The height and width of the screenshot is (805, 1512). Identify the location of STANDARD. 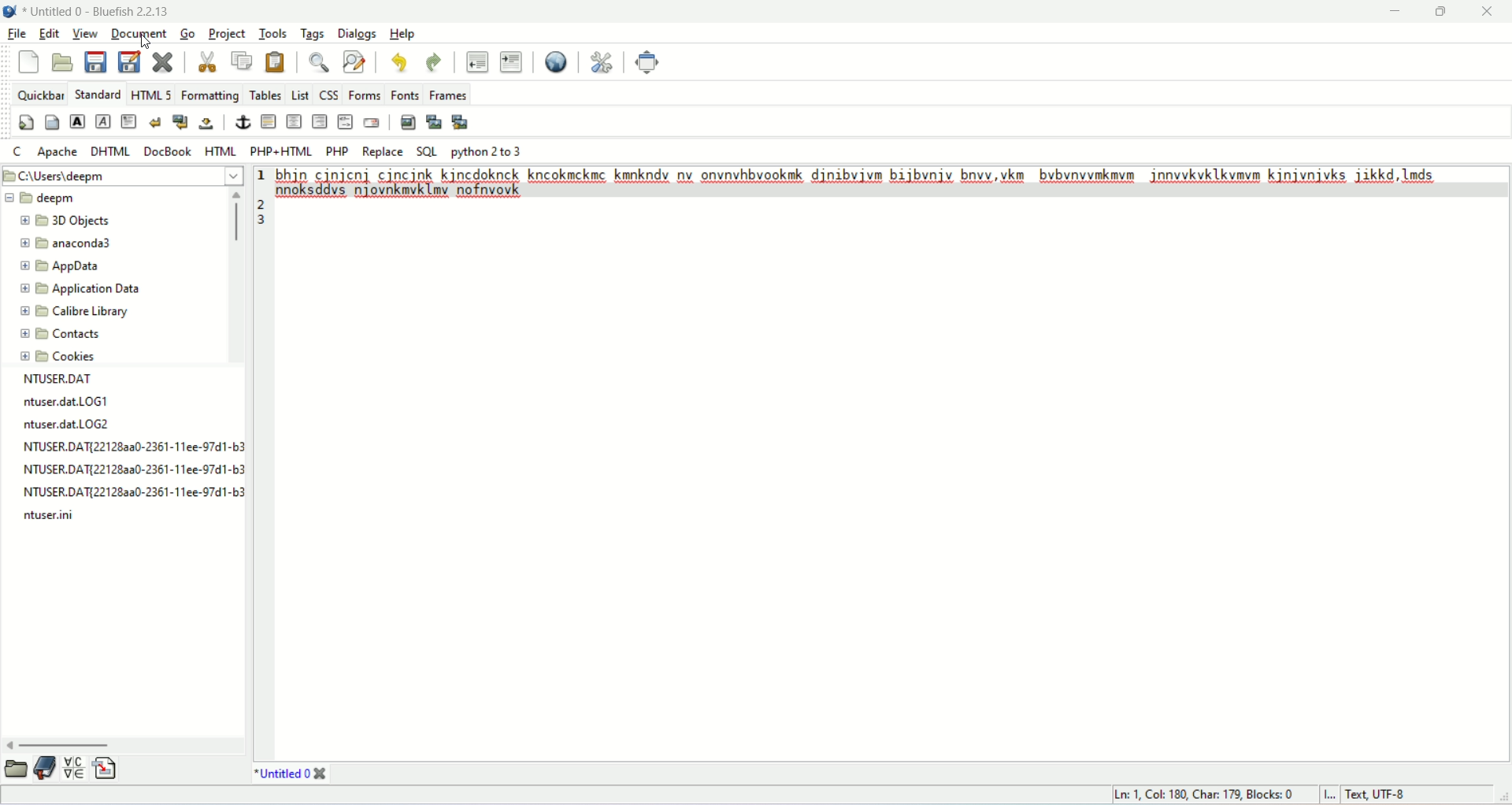
(97, 92).